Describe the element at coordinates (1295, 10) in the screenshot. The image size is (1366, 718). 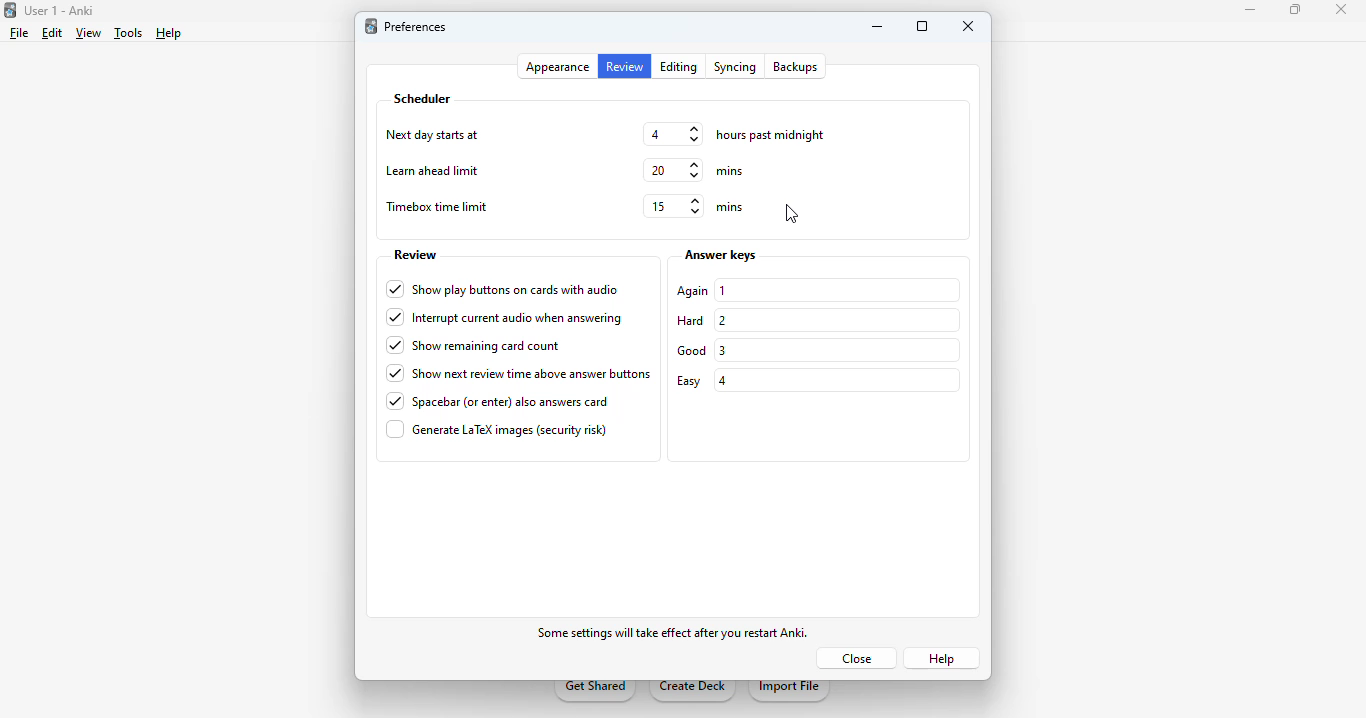
I see `maximize` at that location.